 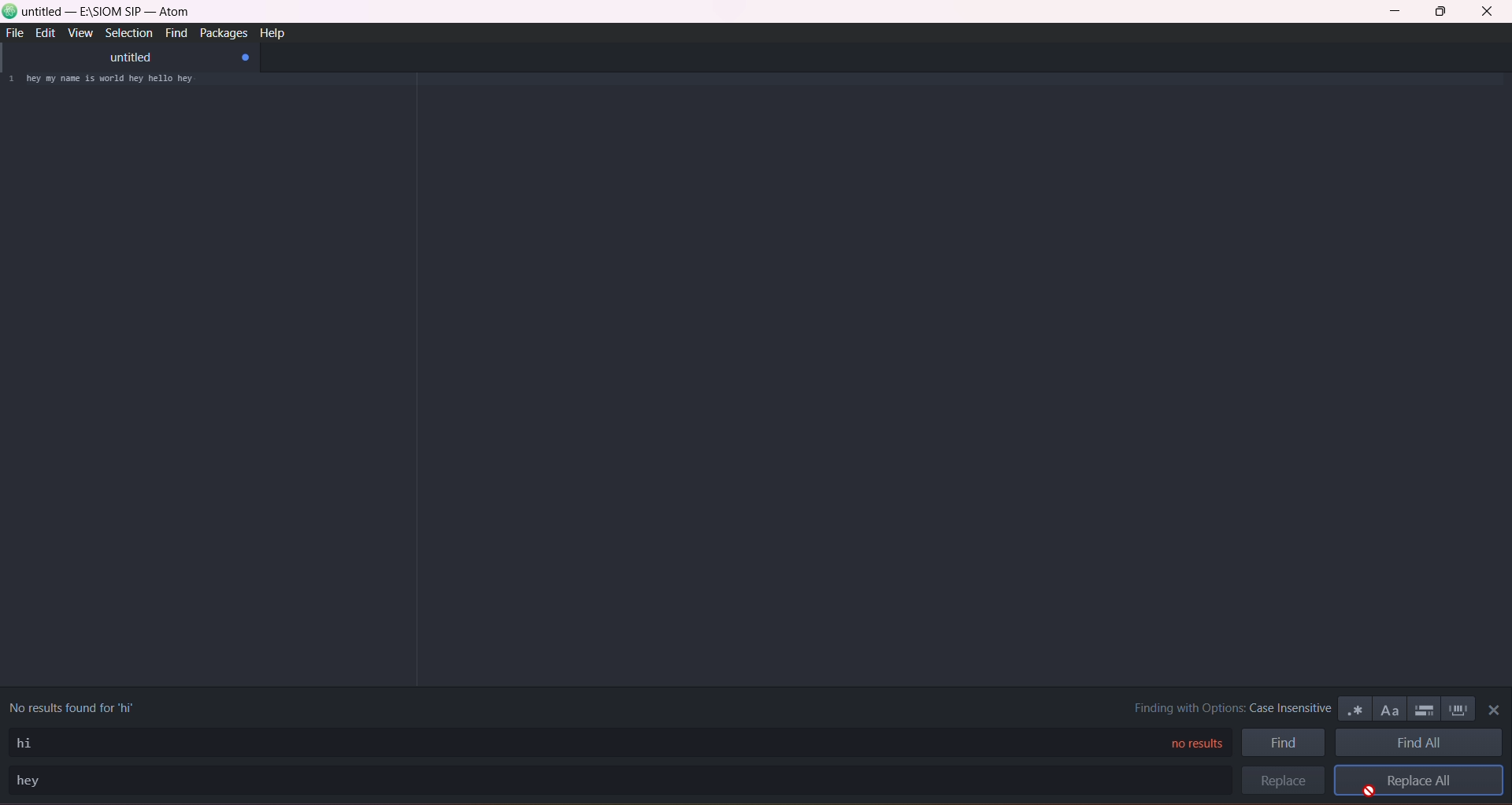 I want to click on selection, so click(x=127, y=33).